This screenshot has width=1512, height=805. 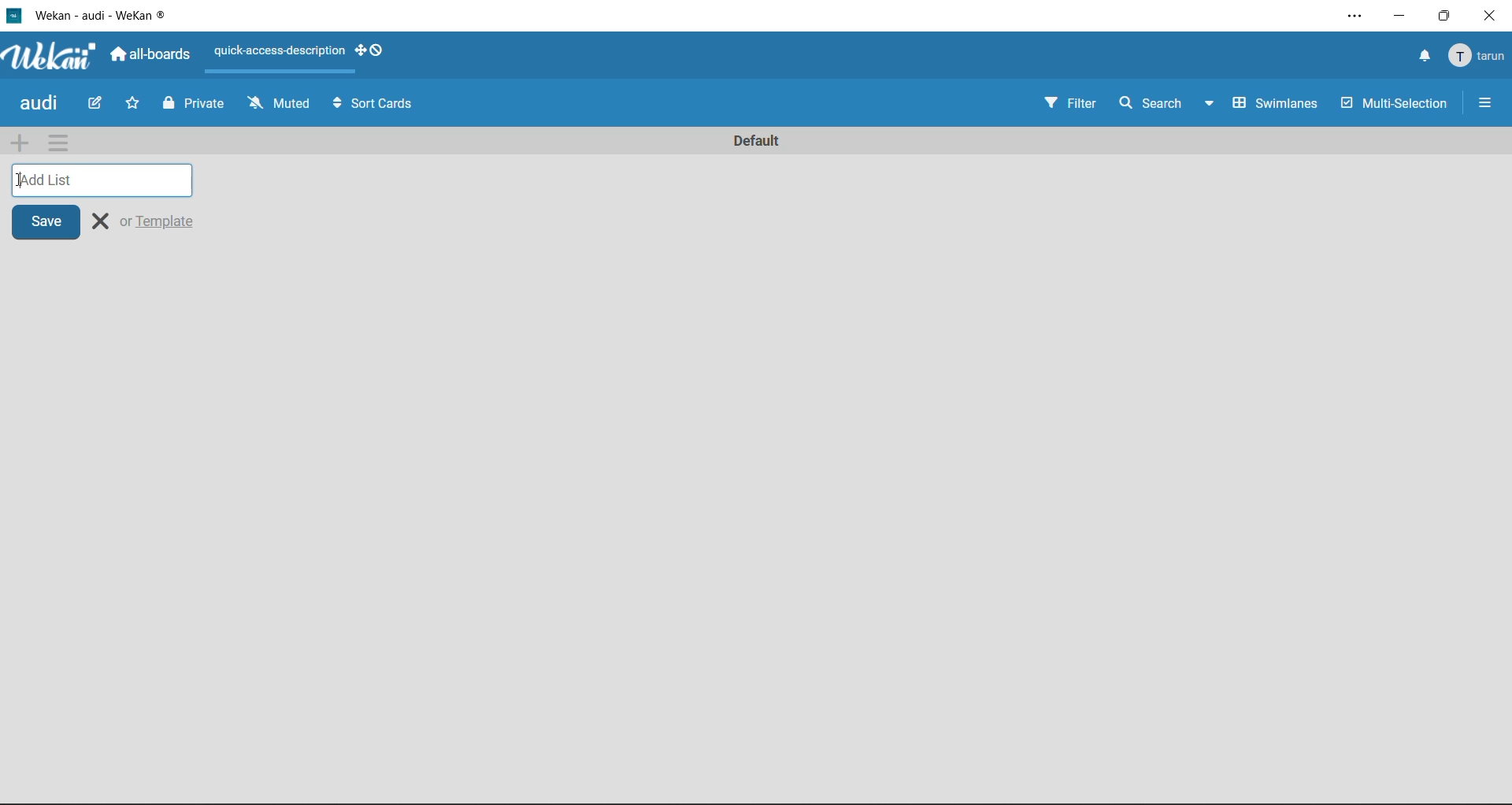 I want to click on all-boards, so click(x=150, y=54).